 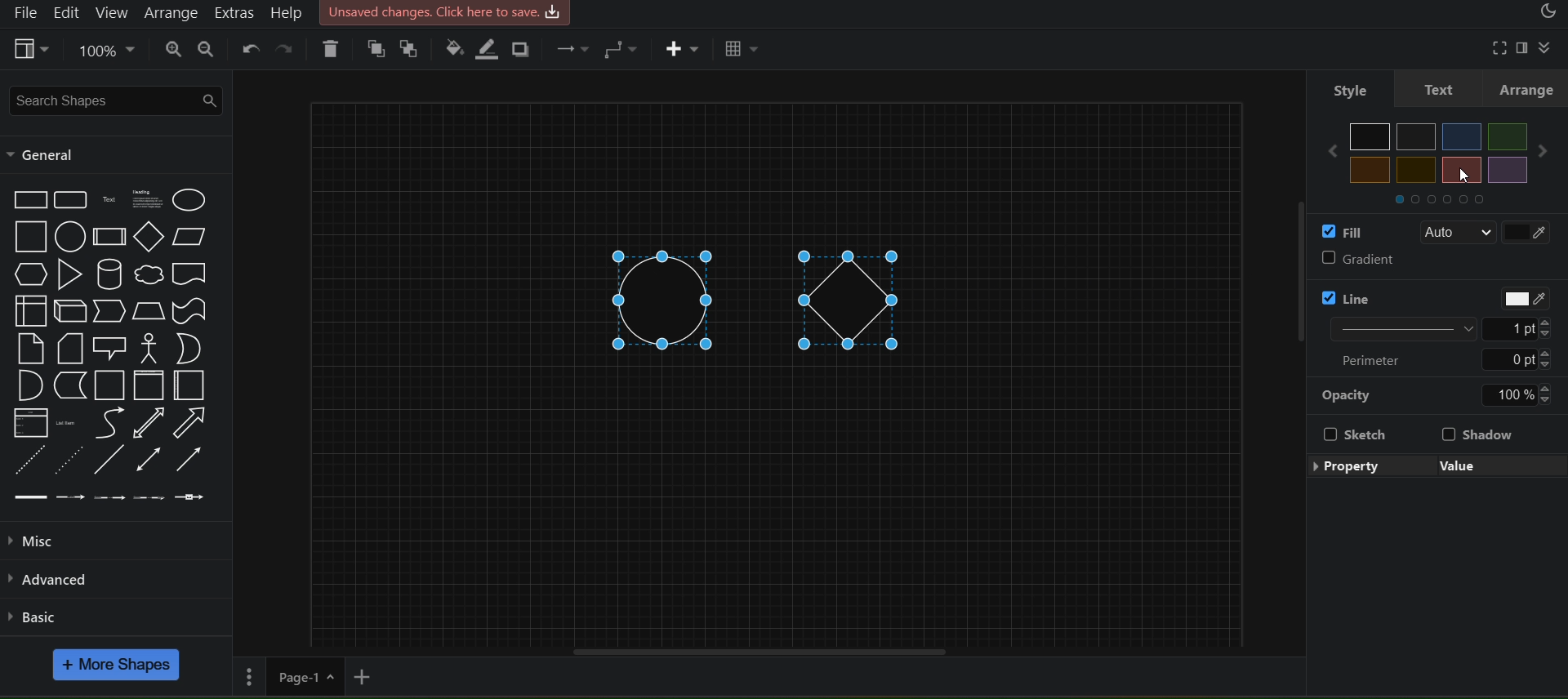 I want to click on Connector with symbol, so click(x=194, y=498).